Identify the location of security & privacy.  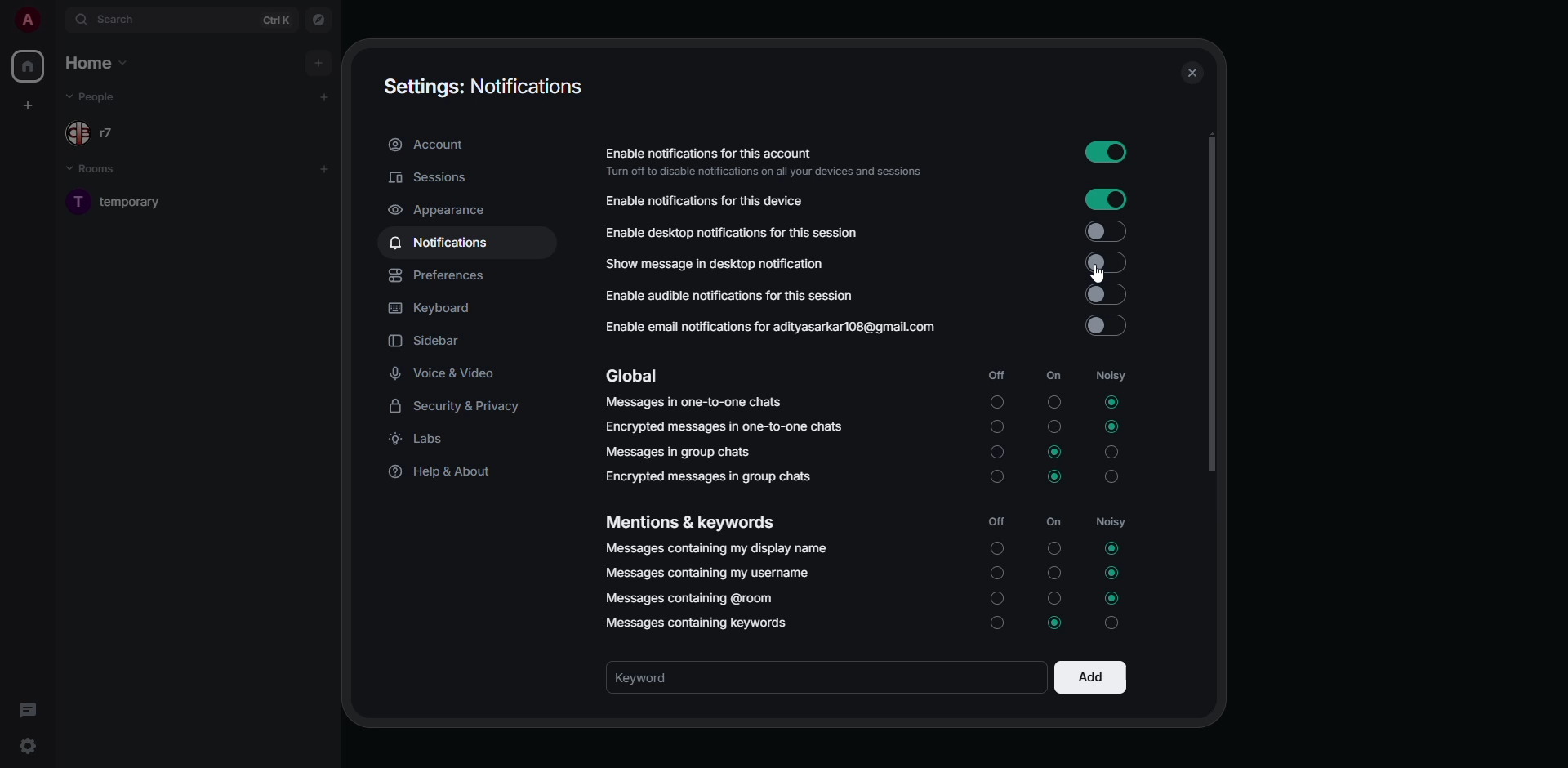
(459, 405).